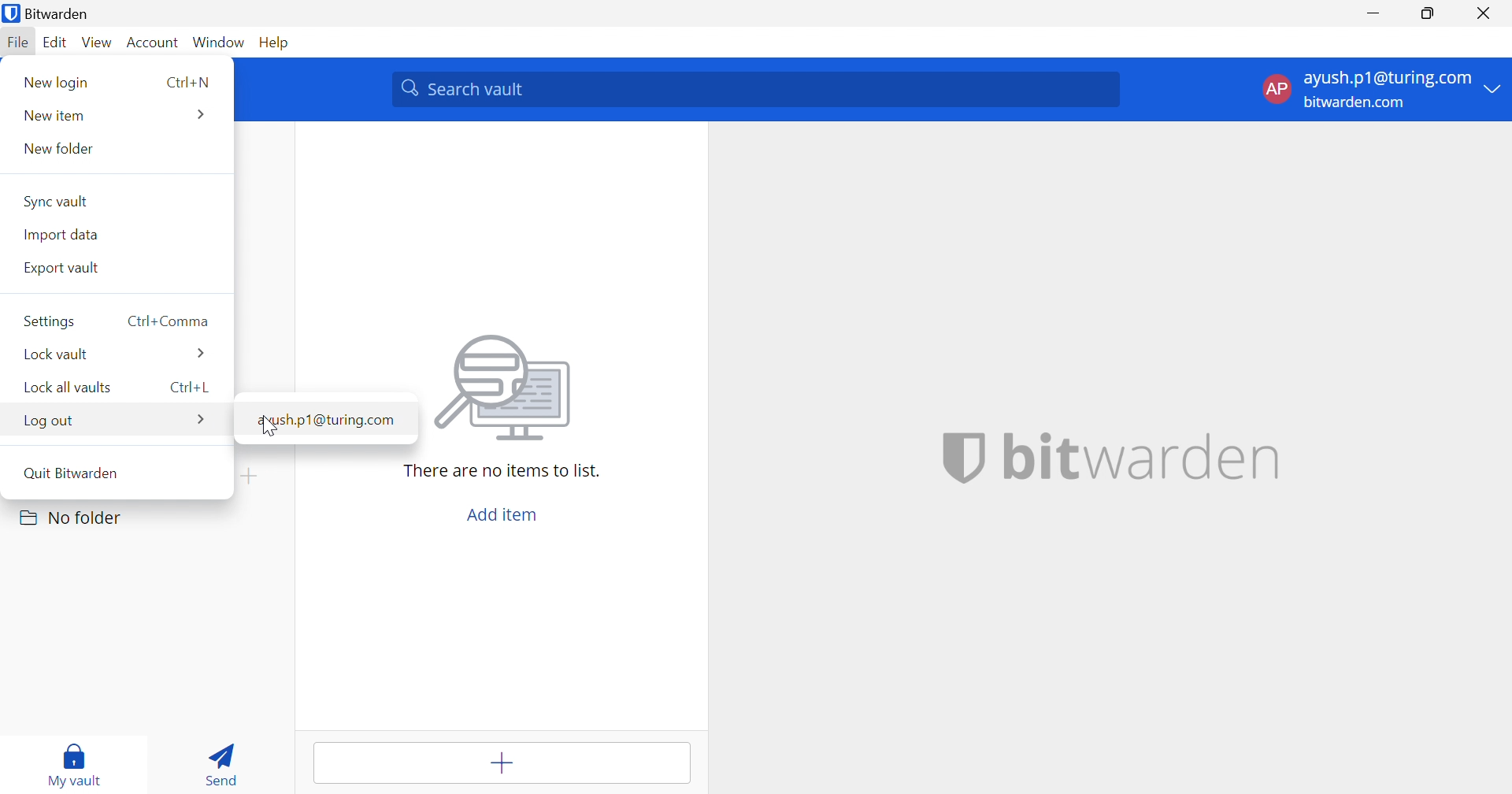 The width and height of the screenshot is (1512, 794). Describe the element at coordinates (754, 90) in the screenshot. I see `Search vault` at that location.